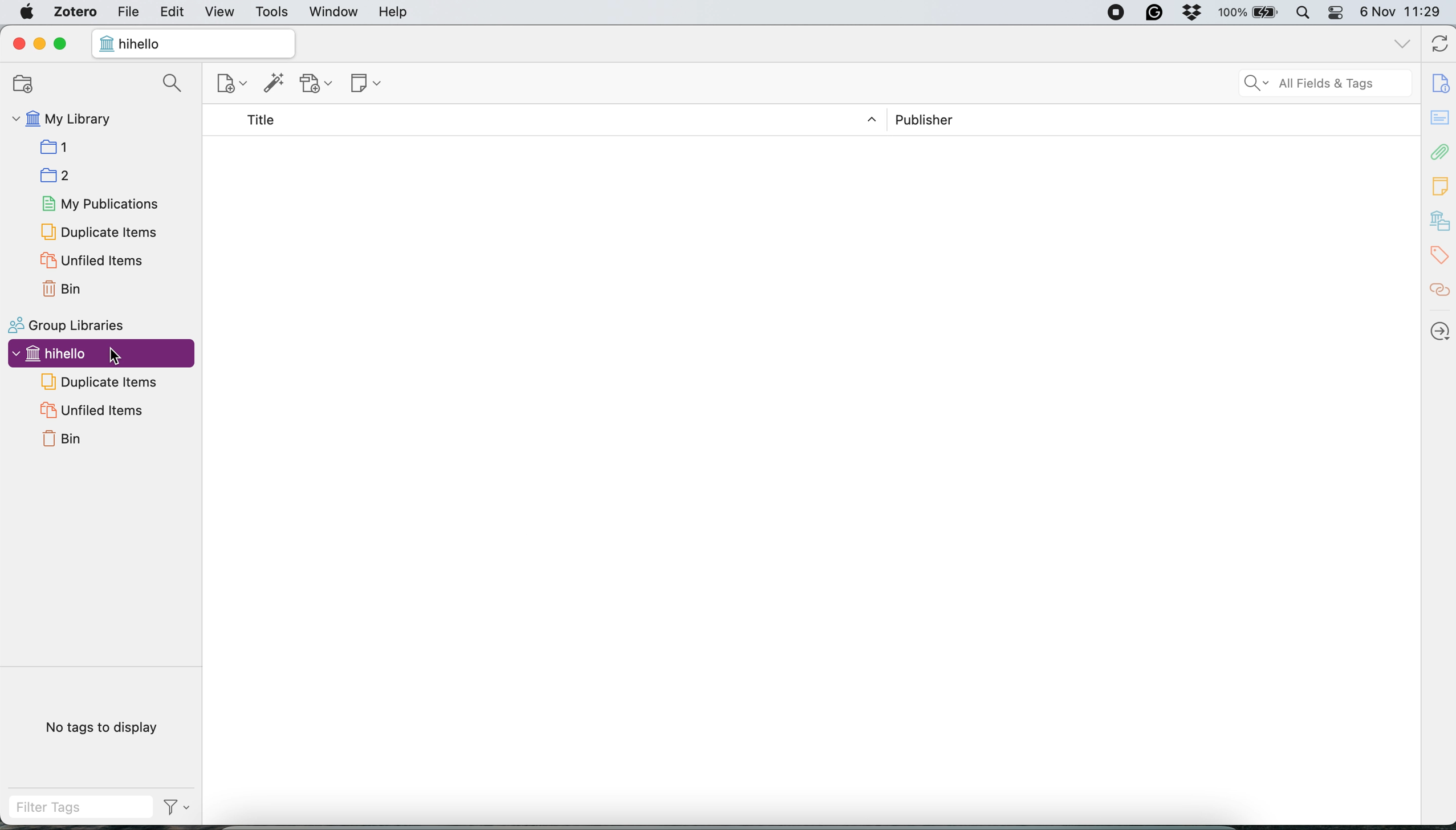  What do you see at coordinates (1323, 84) in the screenshot?
I see `all fields and tags` at bounding box center [1323, 84].